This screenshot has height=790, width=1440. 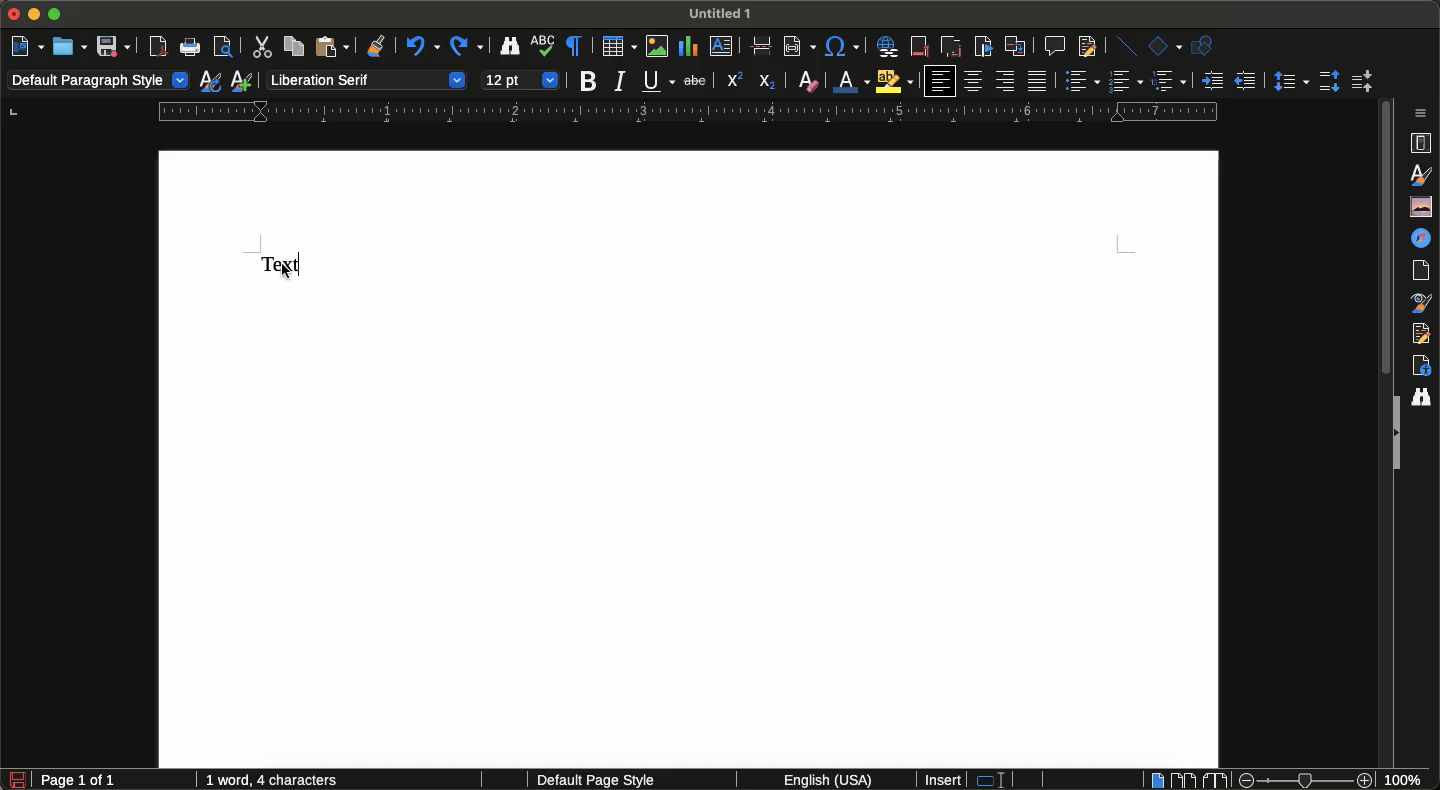 What do you see at coordinates (949, 45) in the screenshot?
I see `Insert endnote` at bounding box center [949, 45].